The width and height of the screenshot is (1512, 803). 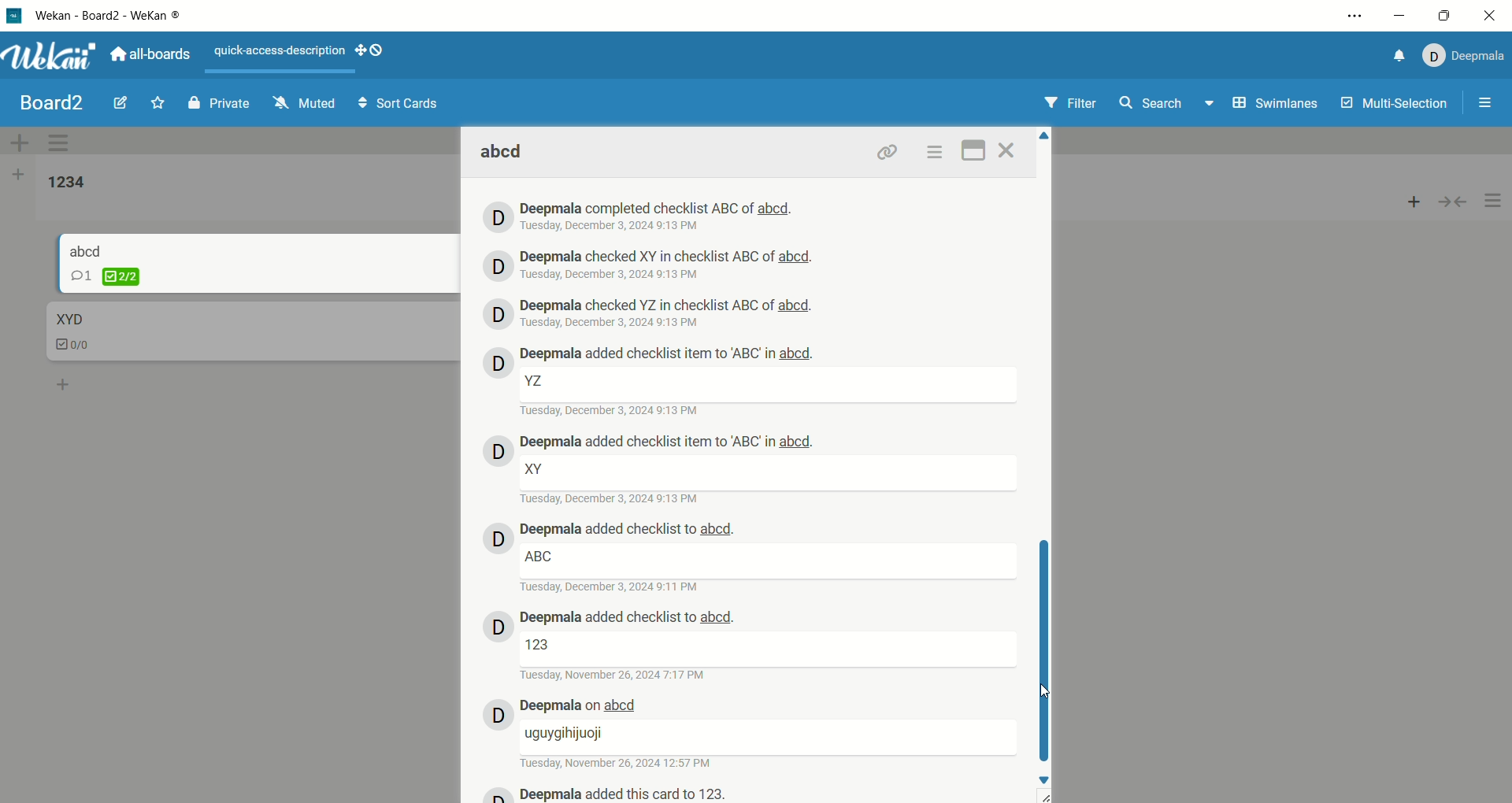 I want to click on text, so click(x=535, y=382).